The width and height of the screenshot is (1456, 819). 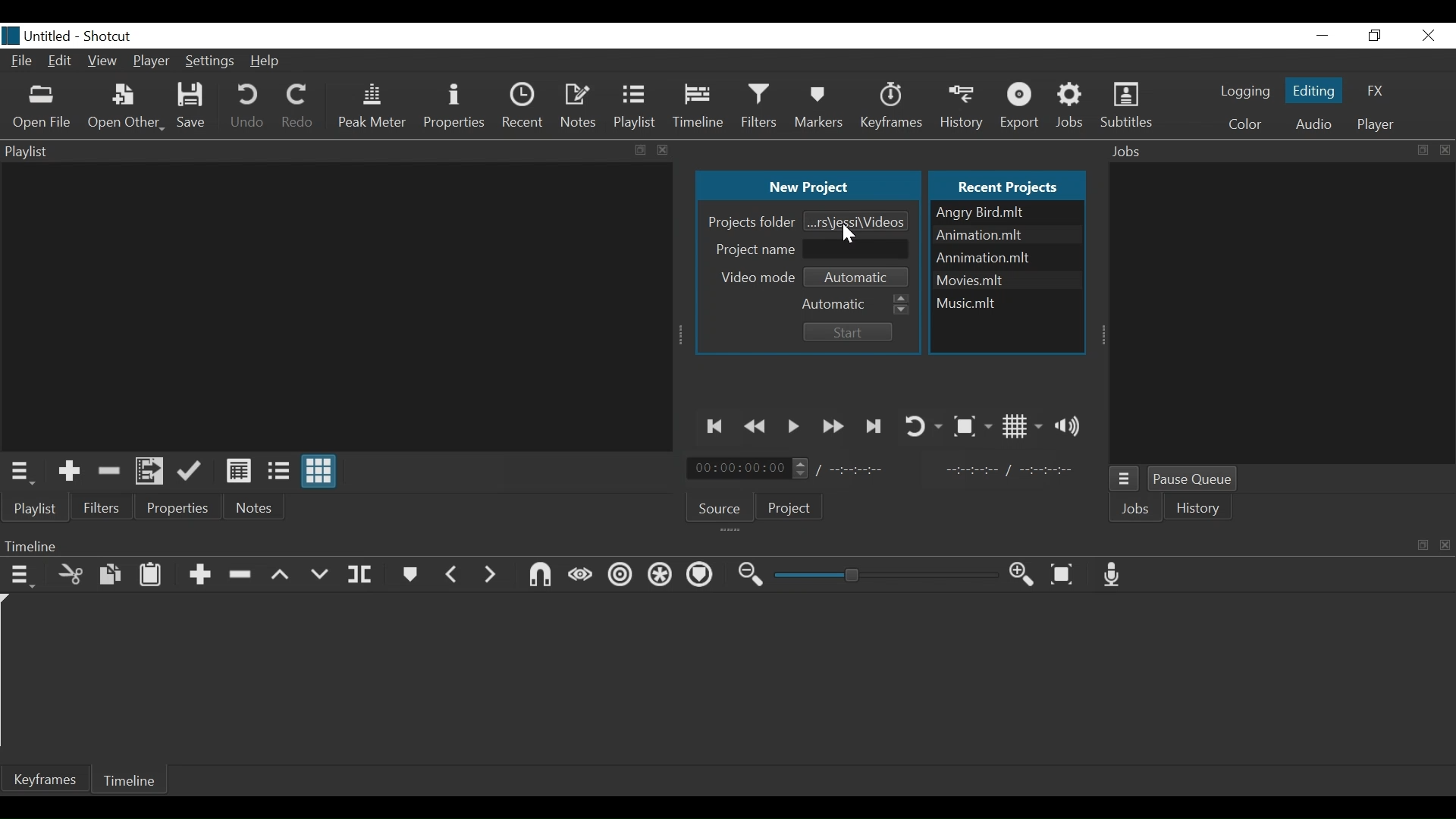 What do you see at coordinates (893, 106) in the screenshot?
I see `Keyframe` at bounding box center [893, 106].